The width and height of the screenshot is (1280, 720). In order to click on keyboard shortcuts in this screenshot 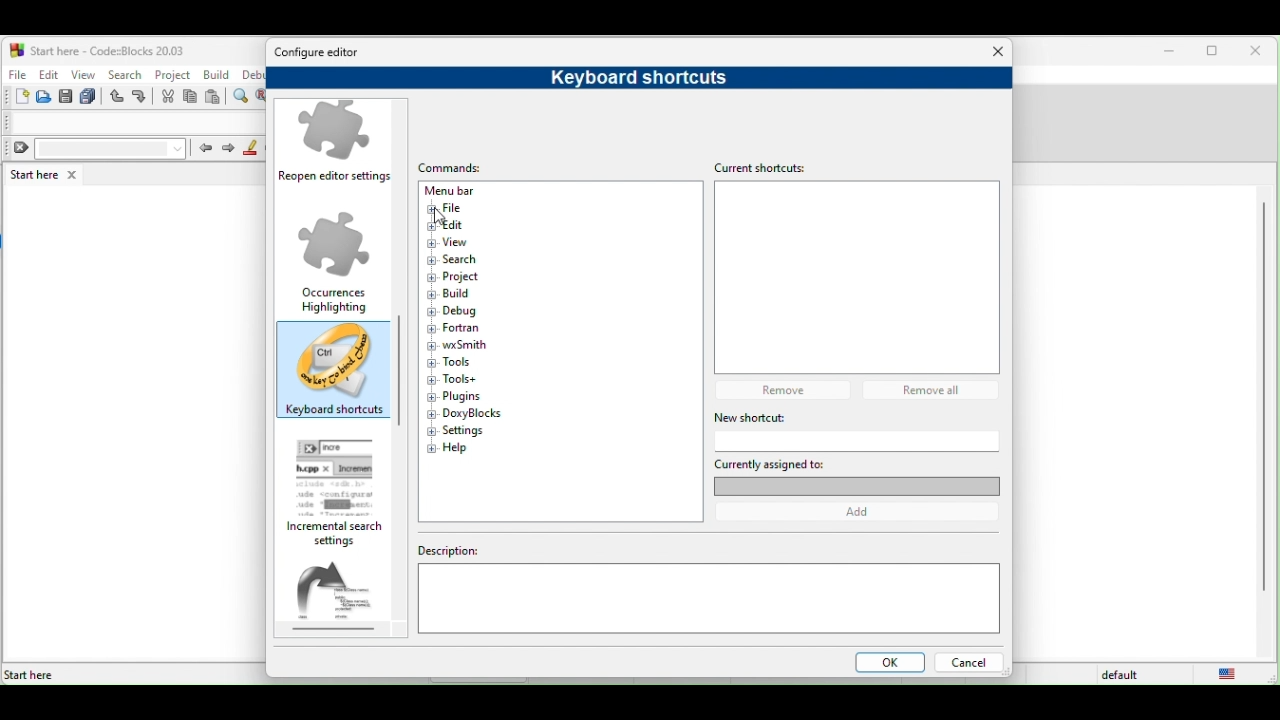, I will do `click(630, 77)`.